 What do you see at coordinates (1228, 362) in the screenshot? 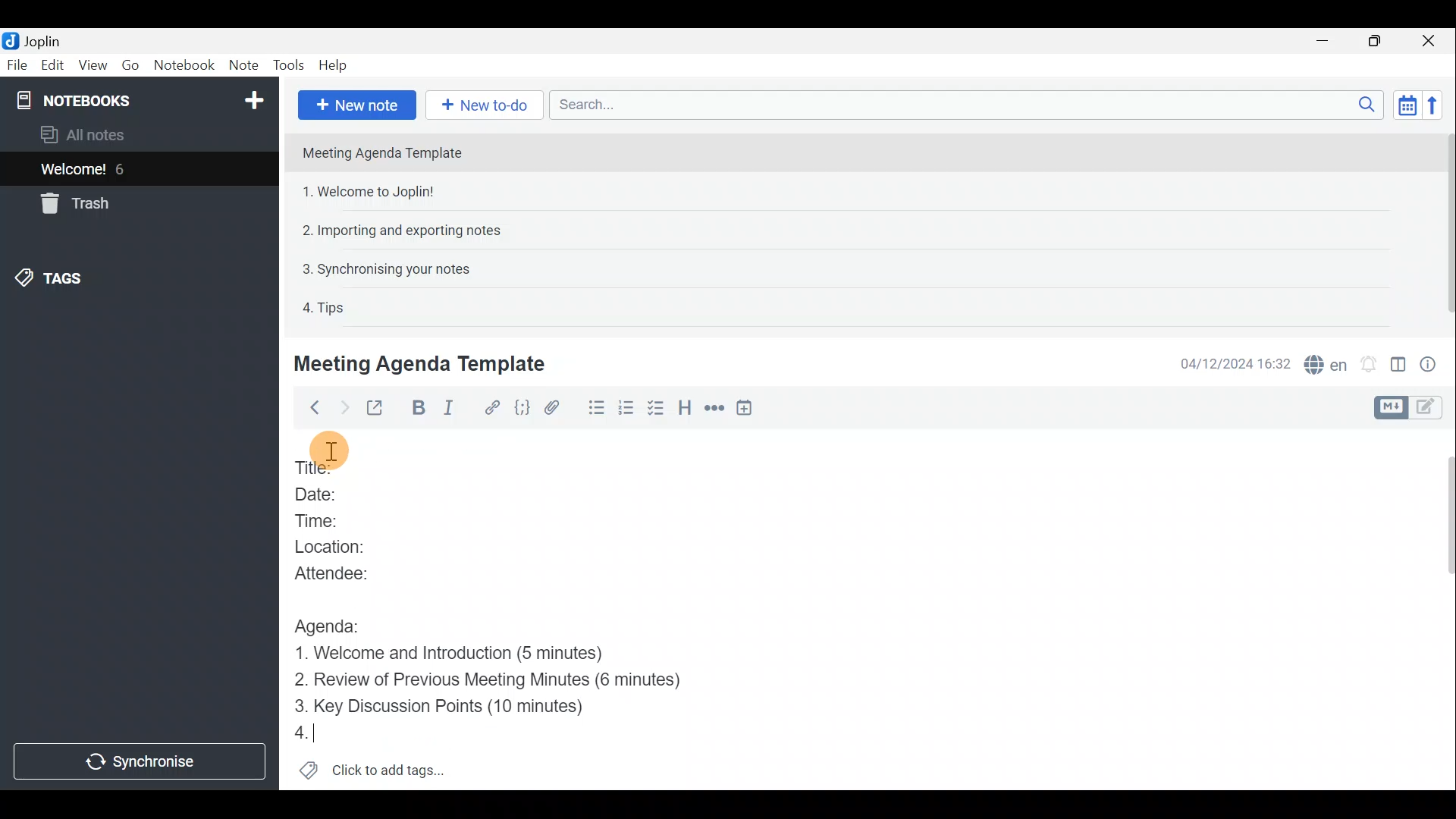
I see `04/12/2024 16:32` at bounding box center [1228, 362].